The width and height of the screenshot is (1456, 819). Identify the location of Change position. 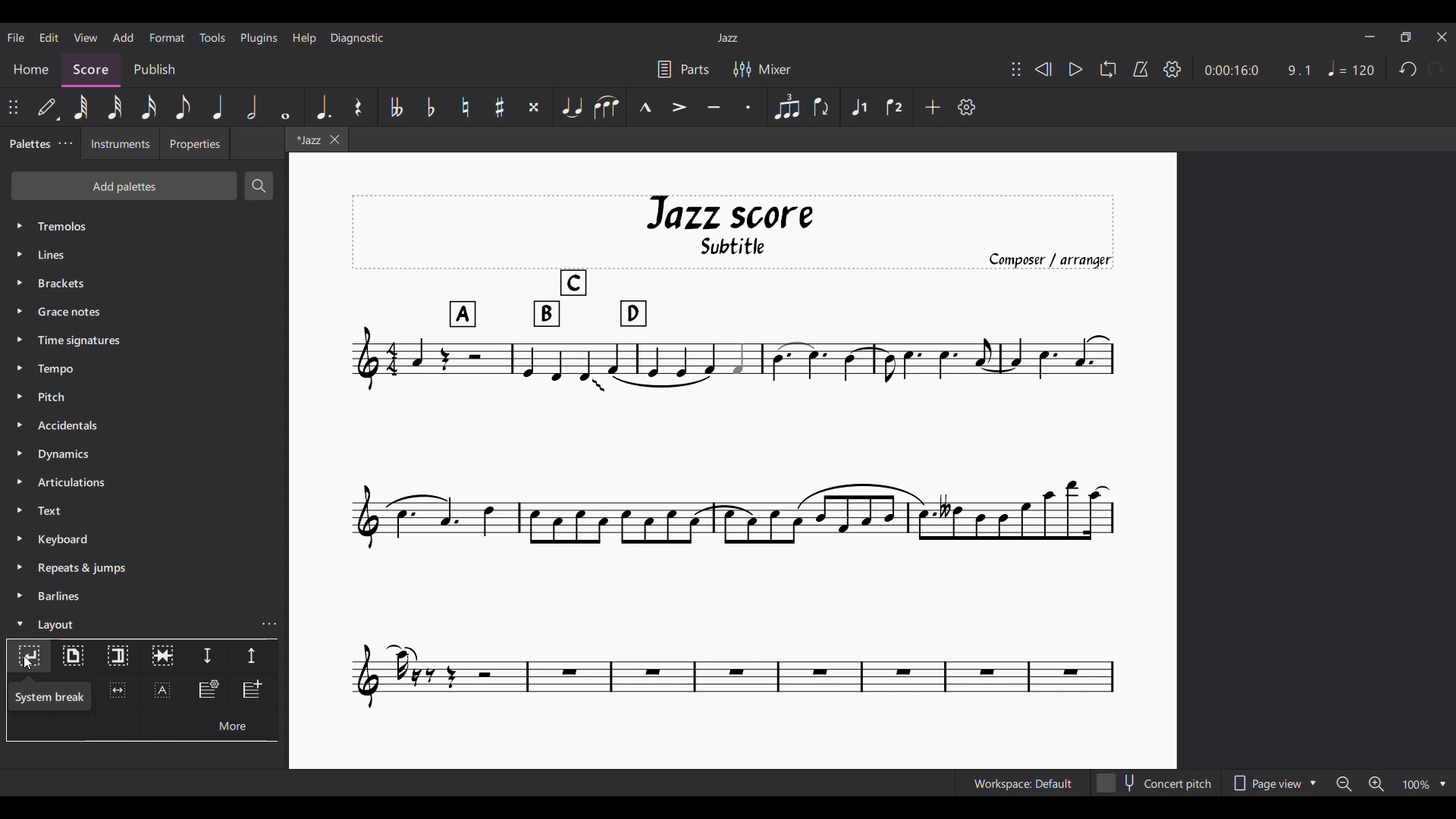
(13, 107).